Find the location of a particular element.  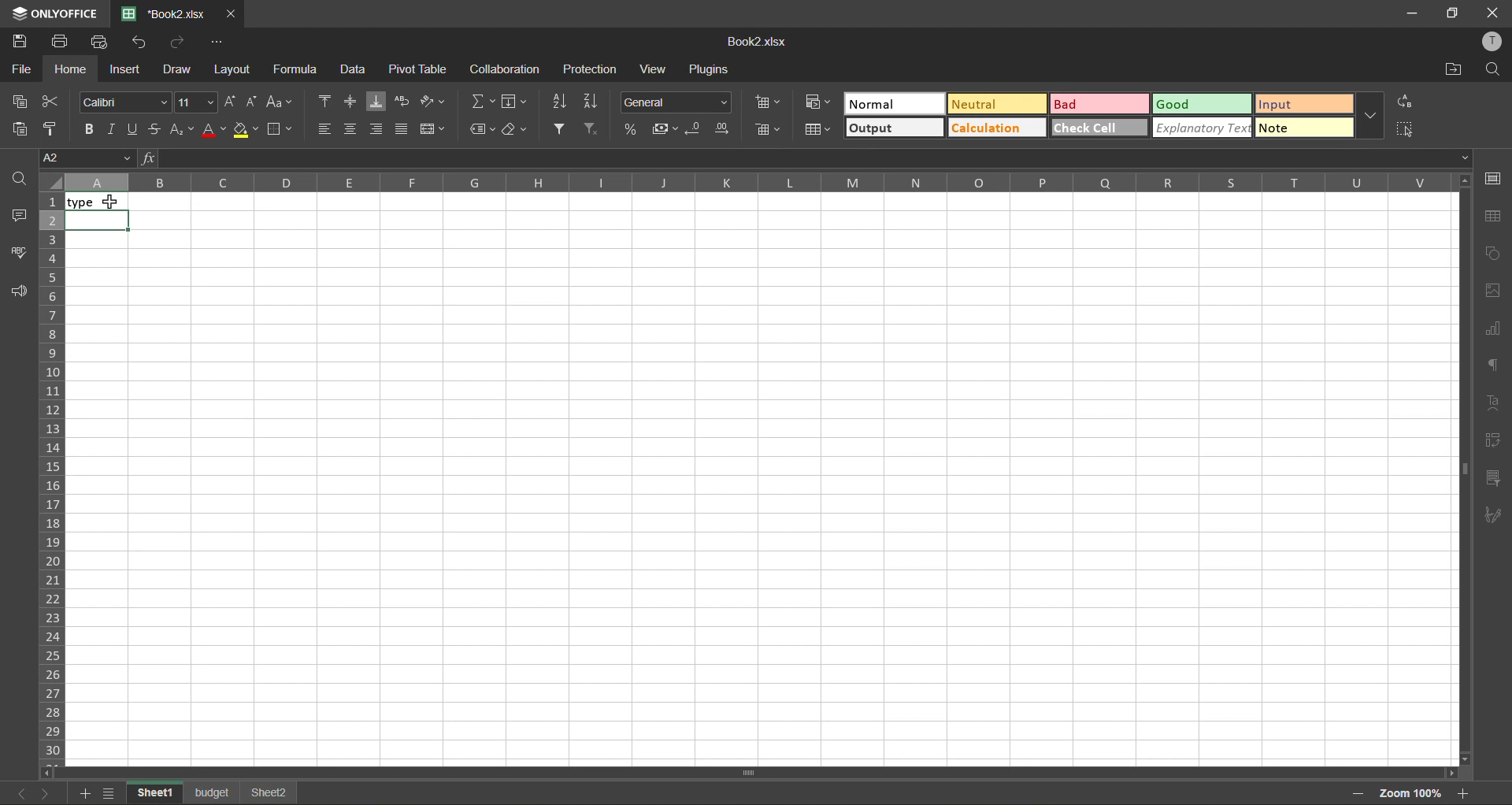

pivot table is located at coordinates (1498, 441).